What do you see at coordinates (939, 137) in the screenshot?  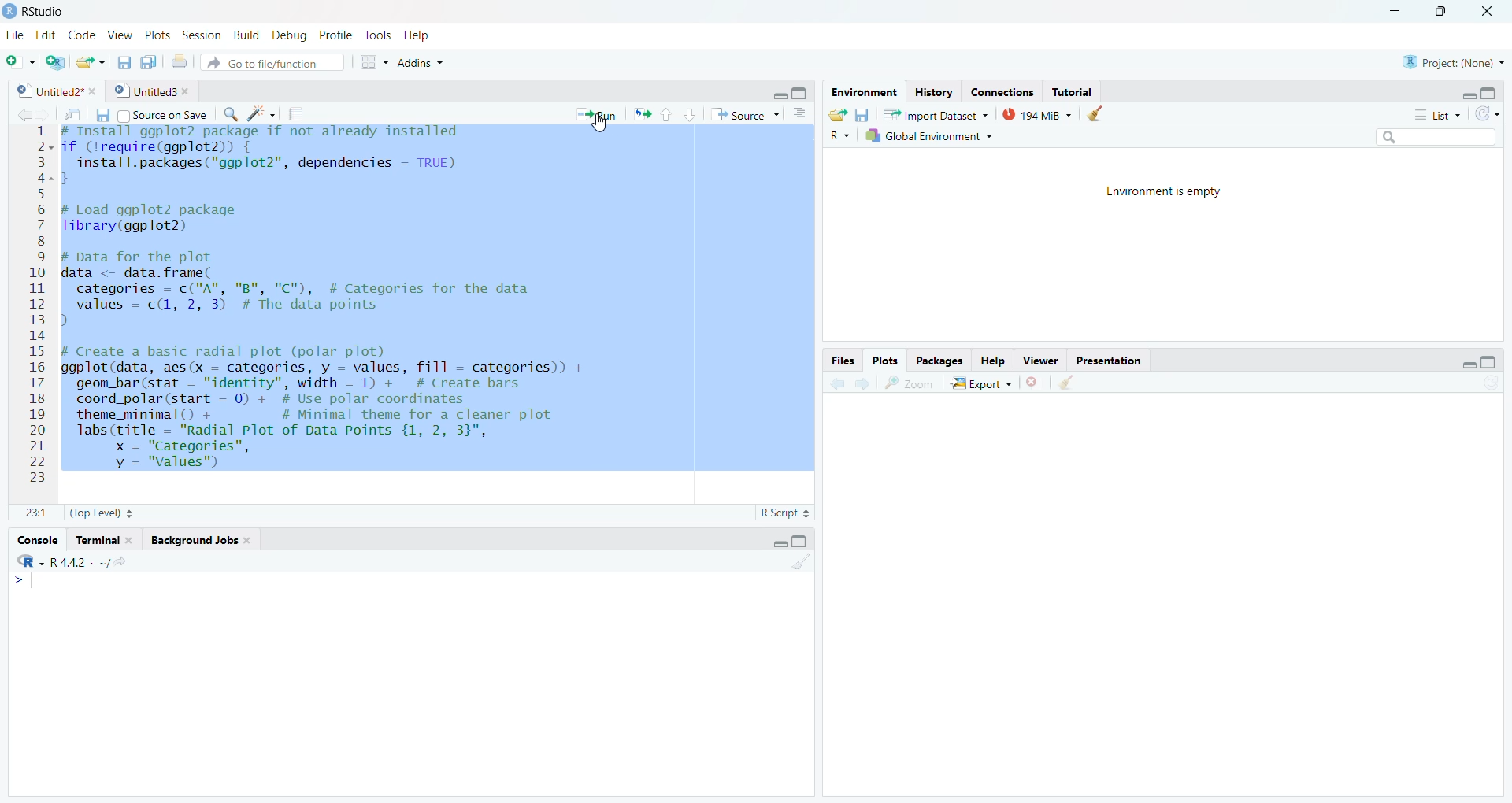 I see `R + 1k Global Environment +` at bounding box center [939, 137].